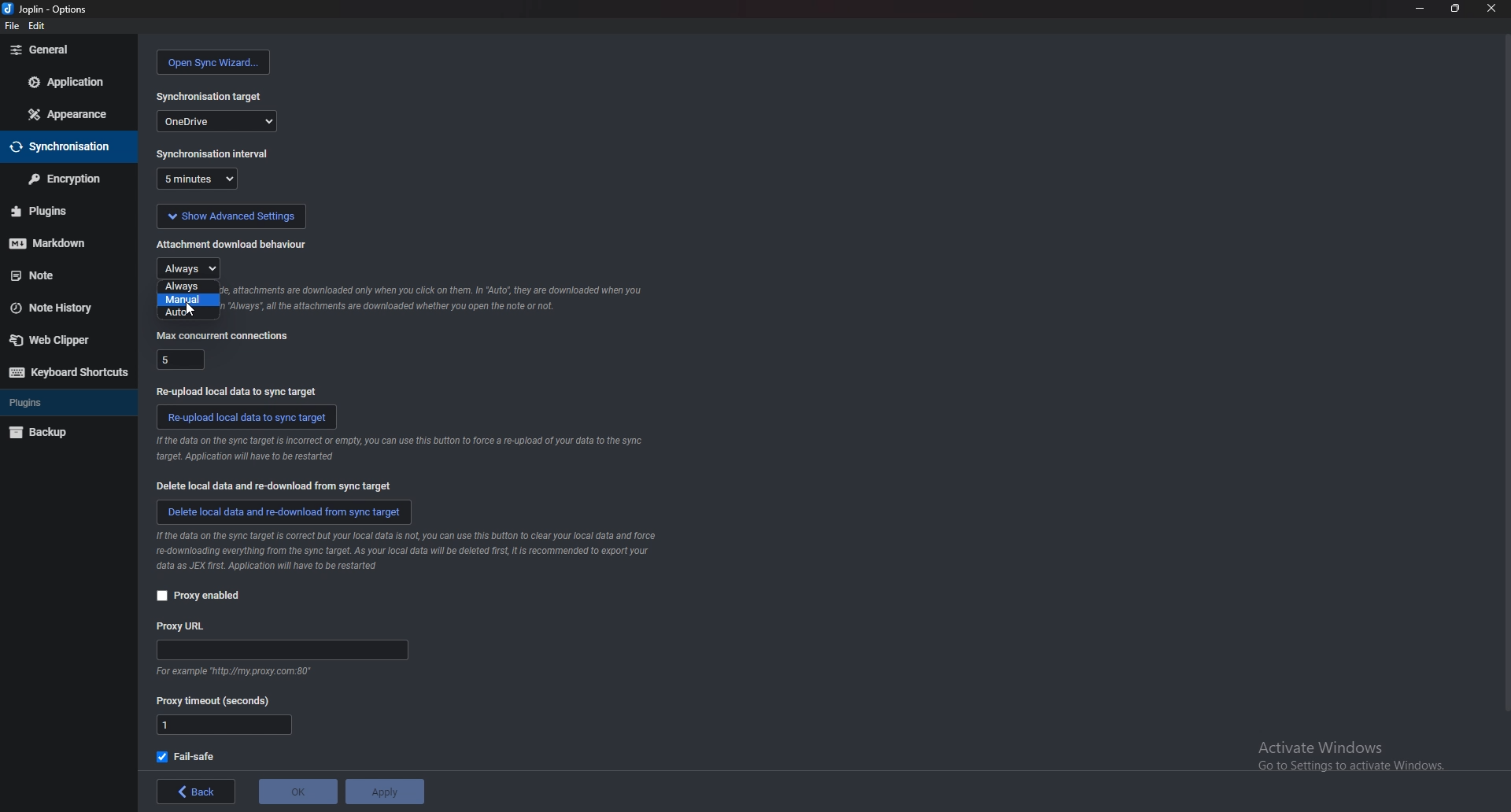 The width and height of the screenshot is (1511, 812). I want to click on keyboard shortcuts, so click(65, 371).